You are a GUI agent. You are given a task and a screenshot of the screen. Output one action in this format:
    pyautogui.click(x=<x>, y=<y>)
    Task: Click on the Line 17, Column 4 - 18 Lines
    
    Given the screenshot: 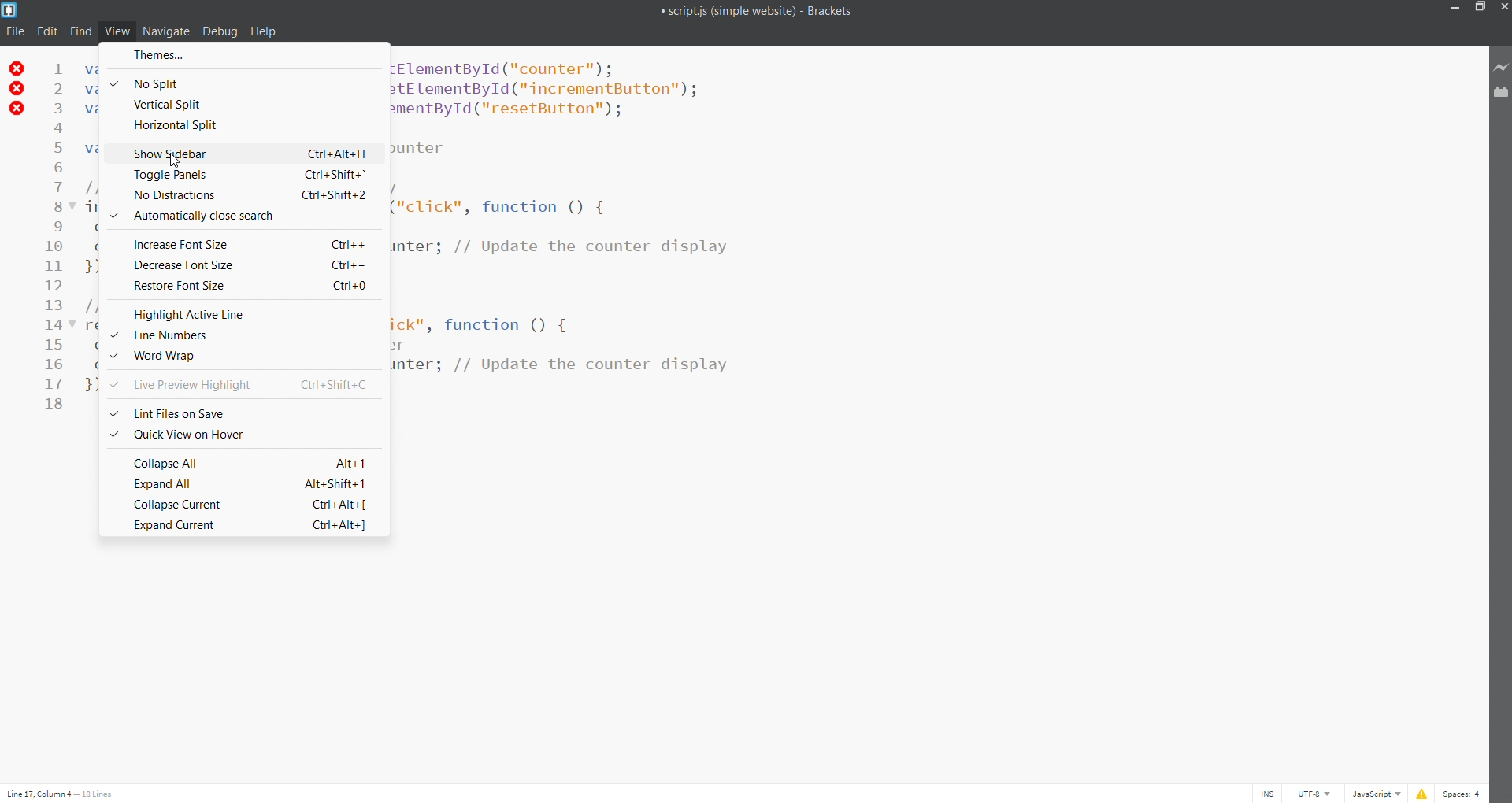 What is the action you would take?
    pyautogui.click(x=60, y=793)
    